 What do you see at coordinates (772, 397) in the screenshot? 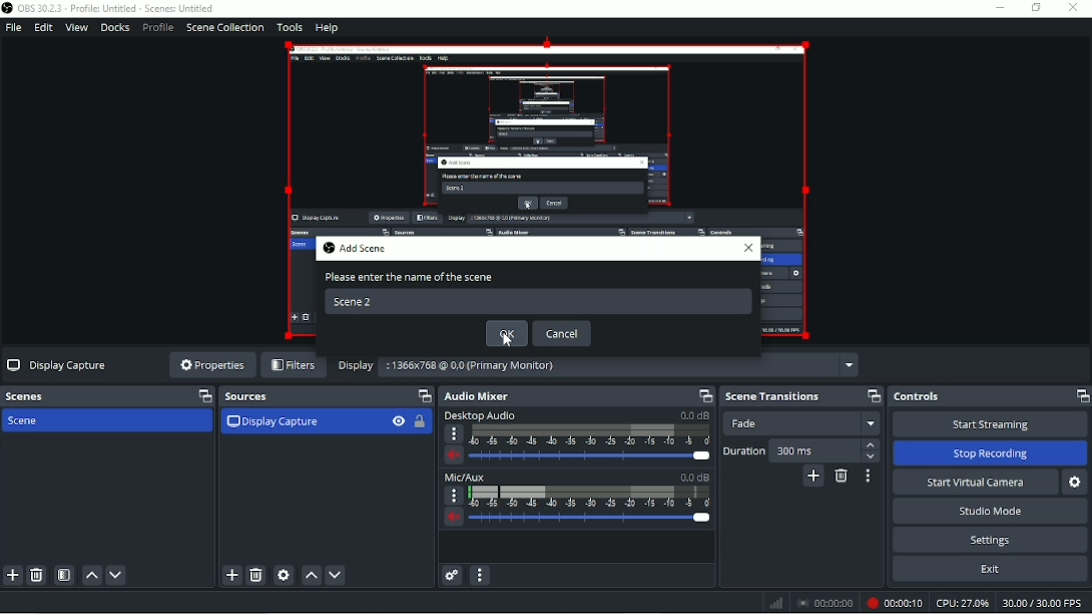
I see `Scene transition` at bounding box center [772, 397].